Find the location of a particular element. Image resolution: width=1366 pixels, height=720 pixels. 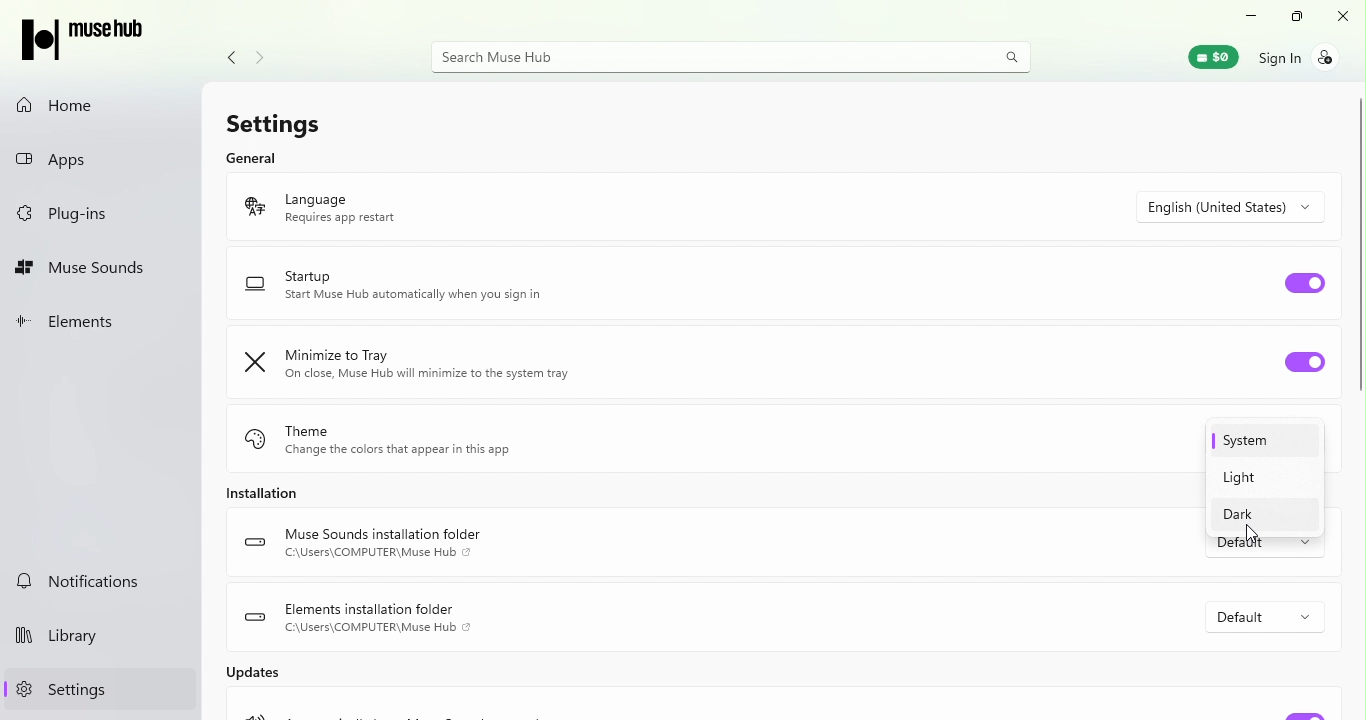

startup logo is located at coordinates (256, 287).